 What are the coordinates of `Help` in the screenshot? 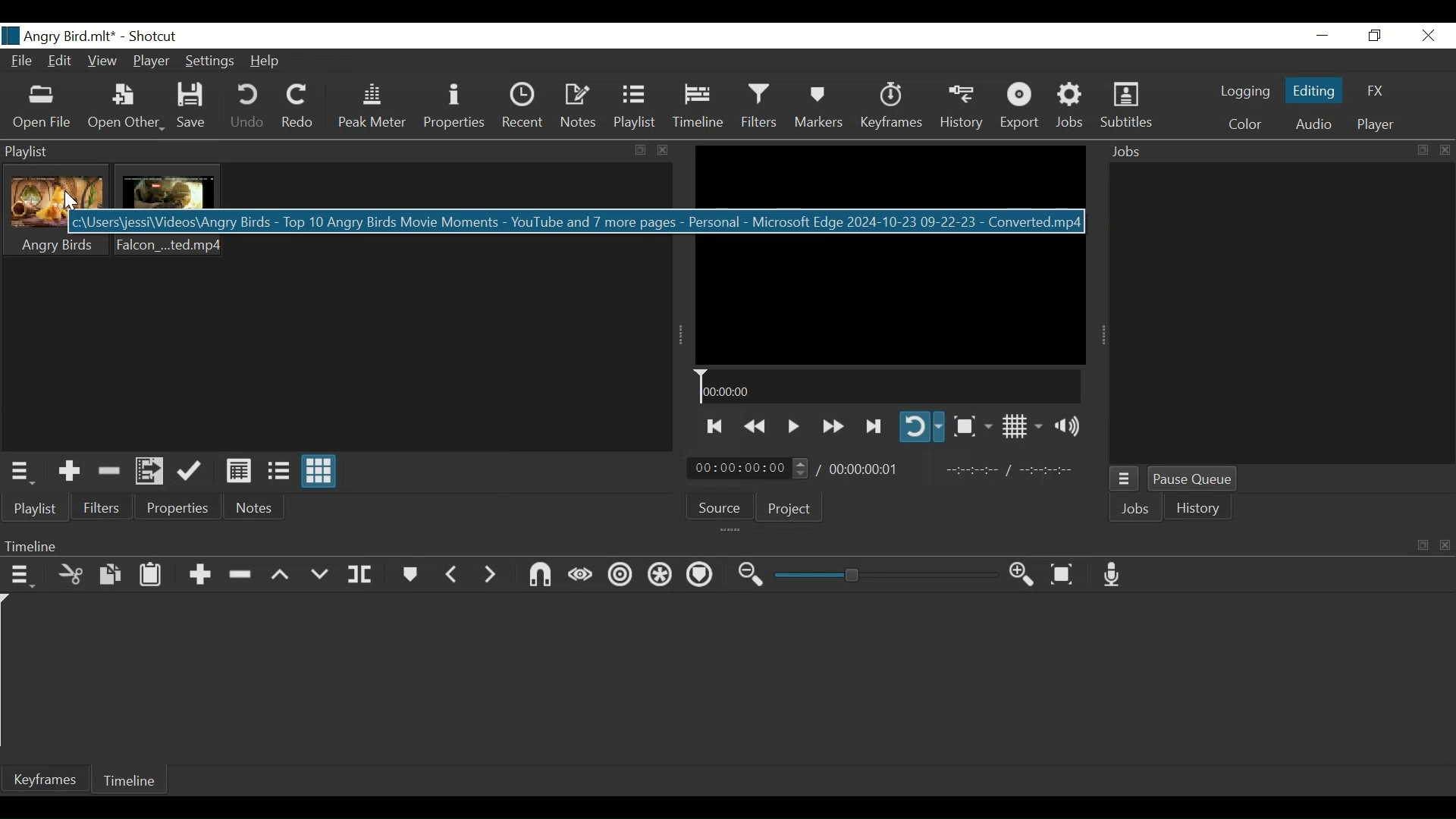 It's located at (268, 60).